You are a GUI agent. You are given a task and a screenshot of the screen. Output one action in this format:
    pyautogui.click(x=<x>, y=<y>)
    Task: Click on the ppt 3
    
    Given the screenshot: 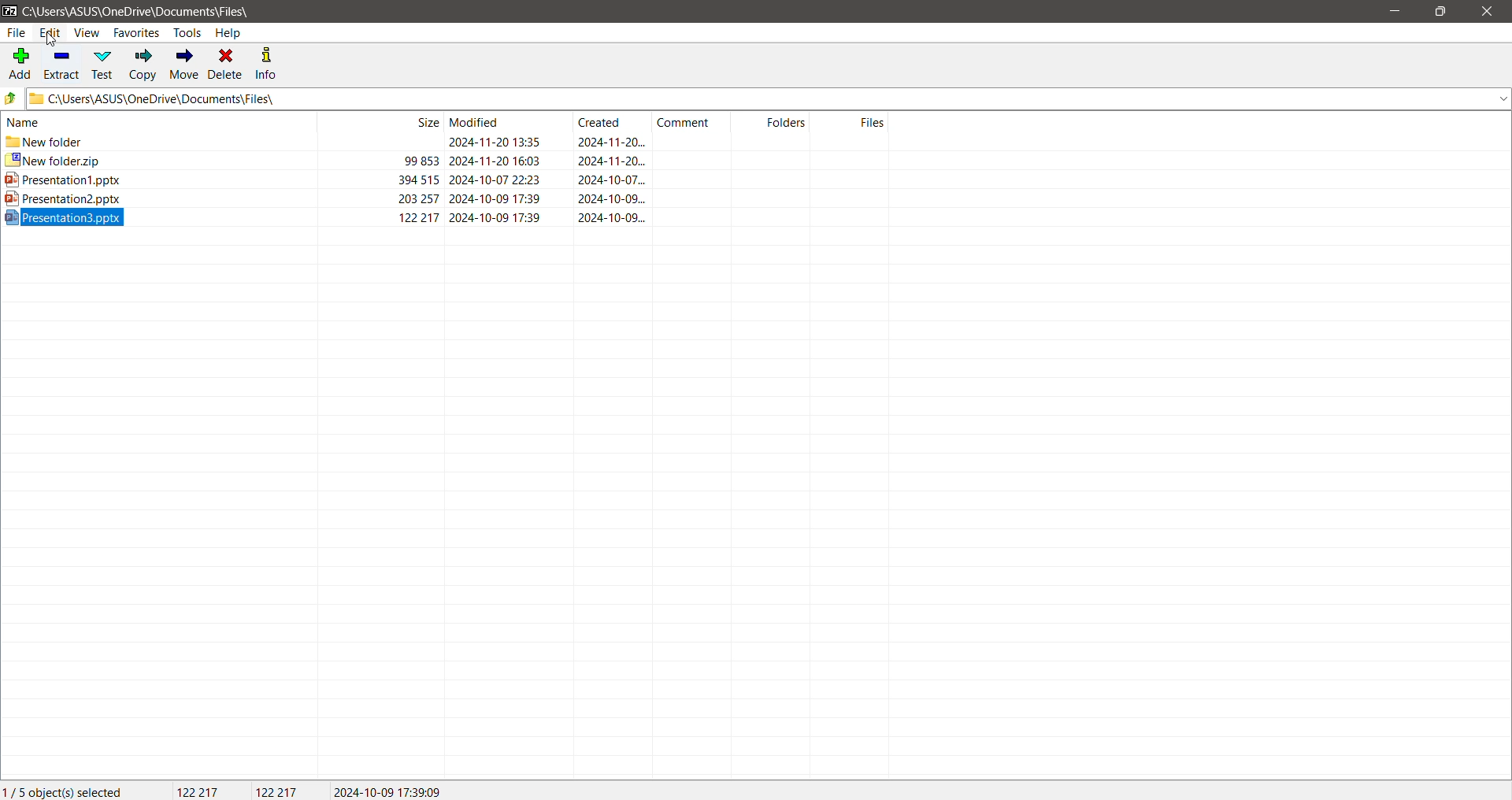 What is the action you would take?
    pyautogui.click(x=445, y=217)
    